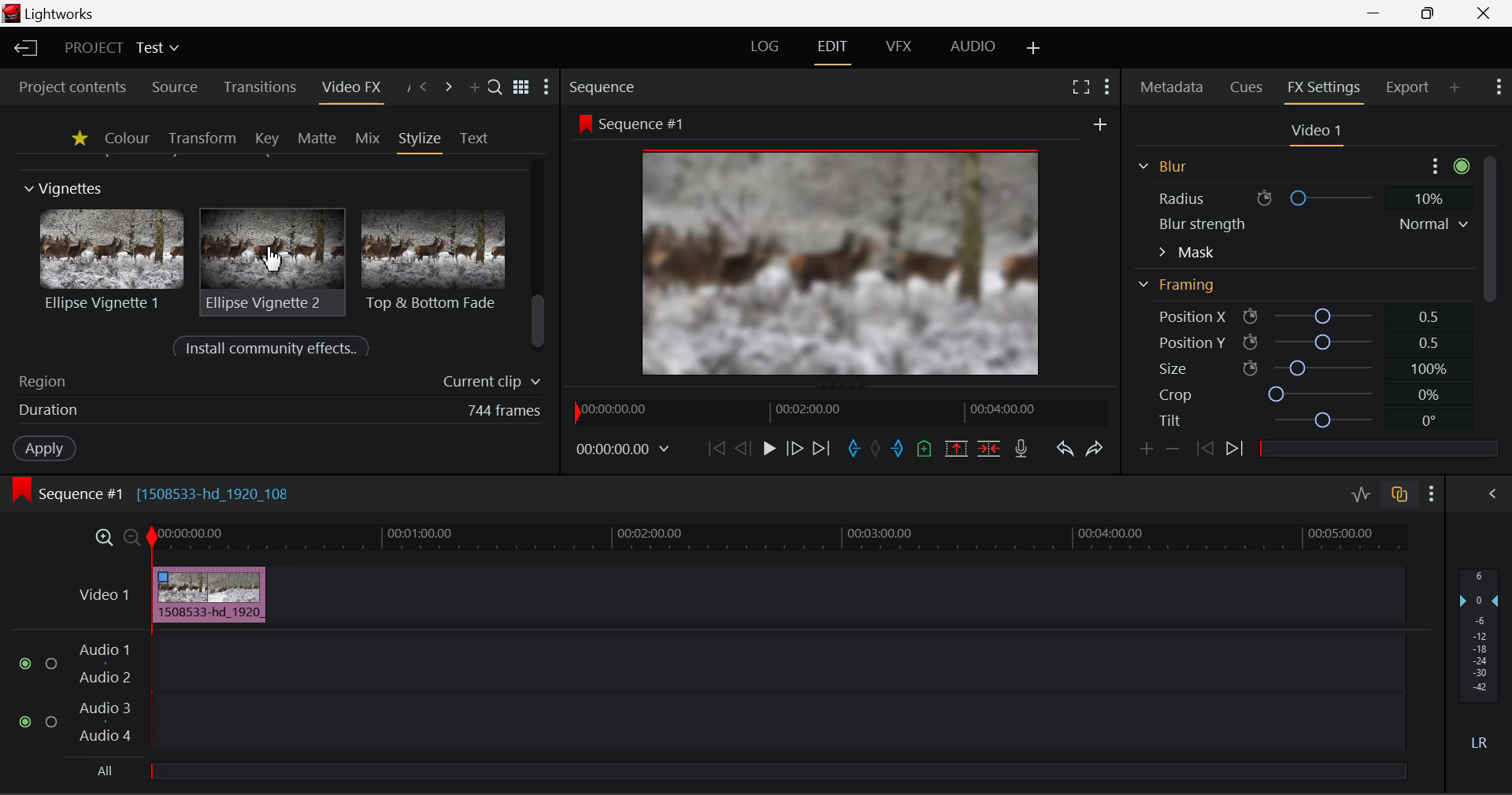 This screenshot has height=795, width=1512. I want to click on Close, so click(1482, 13).